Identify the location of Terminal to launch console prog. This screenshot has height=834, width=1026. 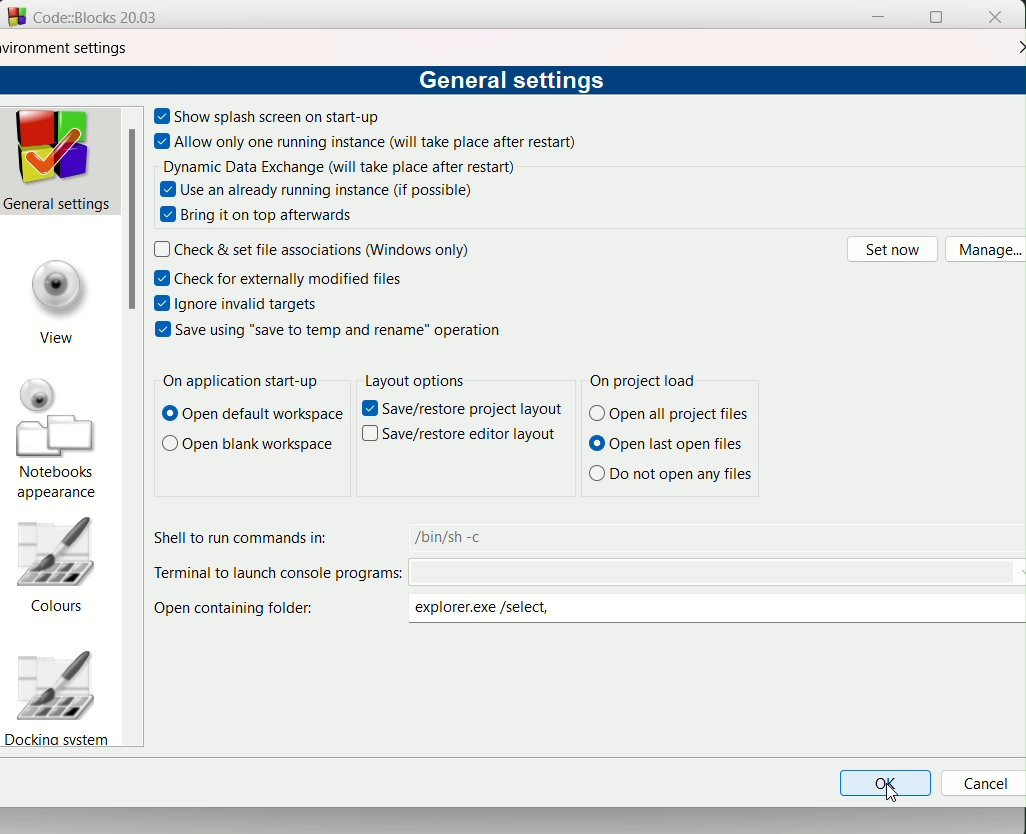
(273, 574).